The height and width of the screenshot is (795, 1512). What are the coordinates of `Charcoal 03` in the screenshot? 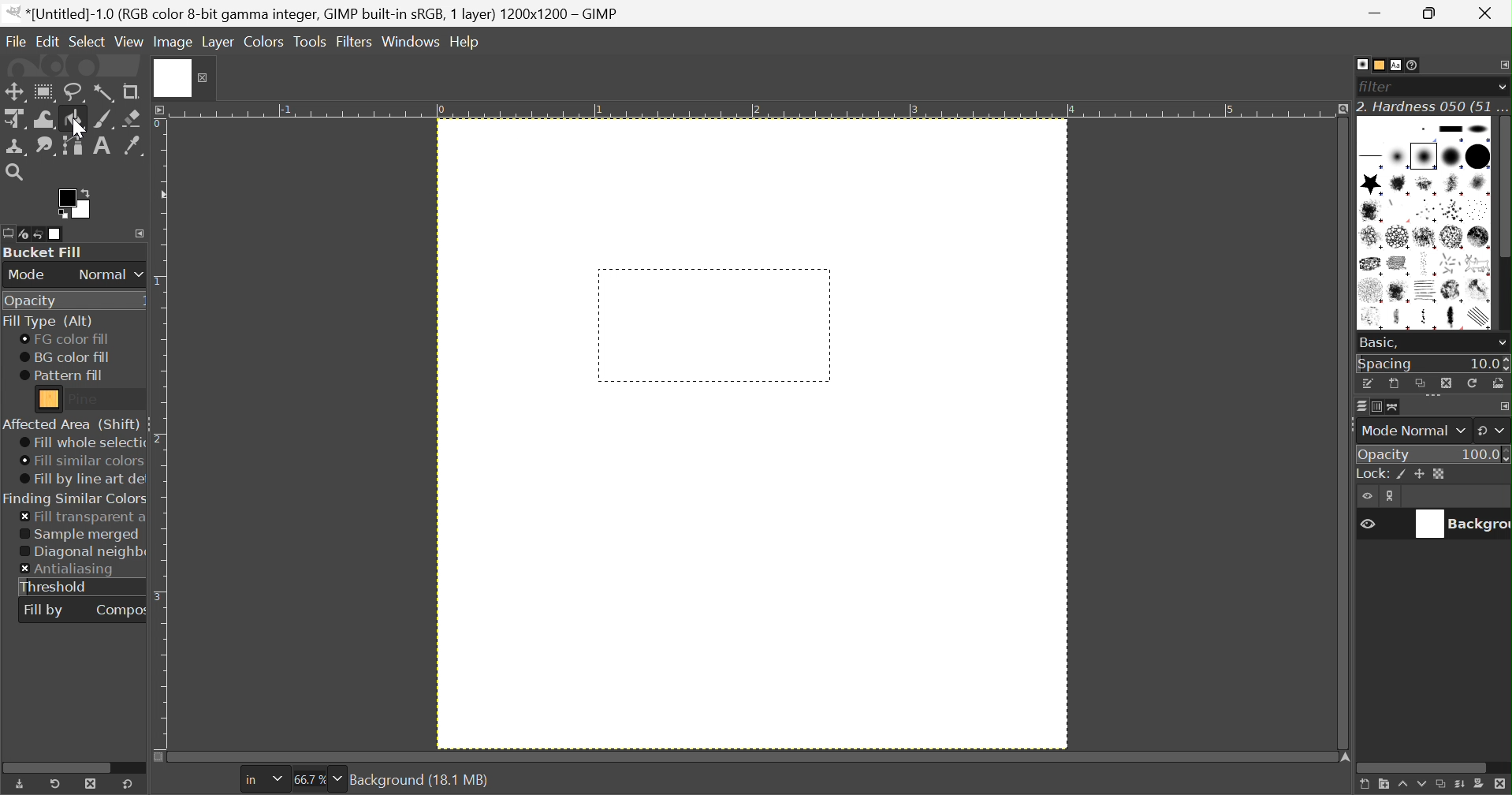 It's located at (1427, 263).